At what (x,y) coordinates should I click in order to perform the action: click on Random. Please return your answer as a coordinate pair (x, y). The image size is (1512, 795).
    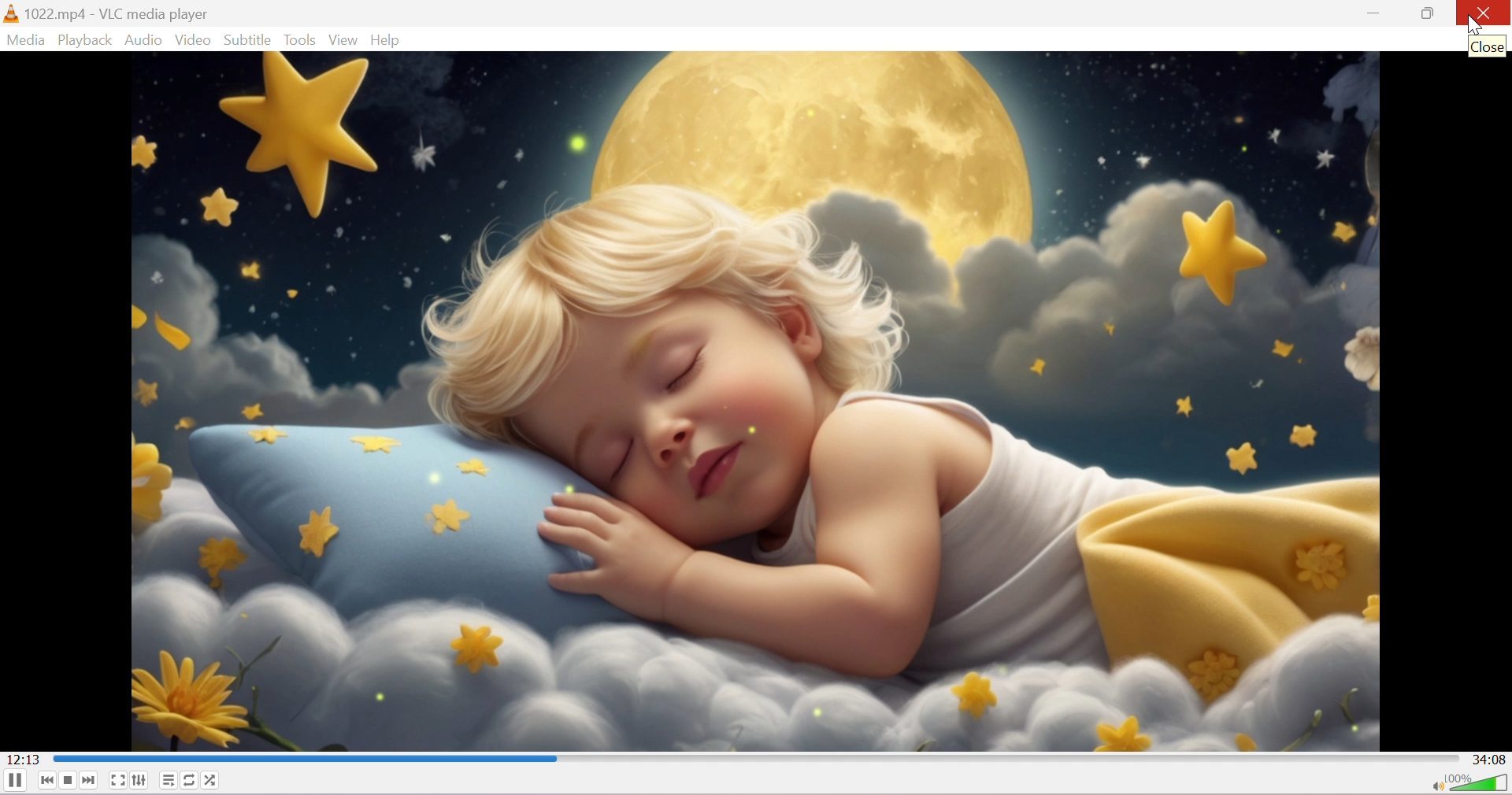
    Looking at the image, I should click on (213, 779).